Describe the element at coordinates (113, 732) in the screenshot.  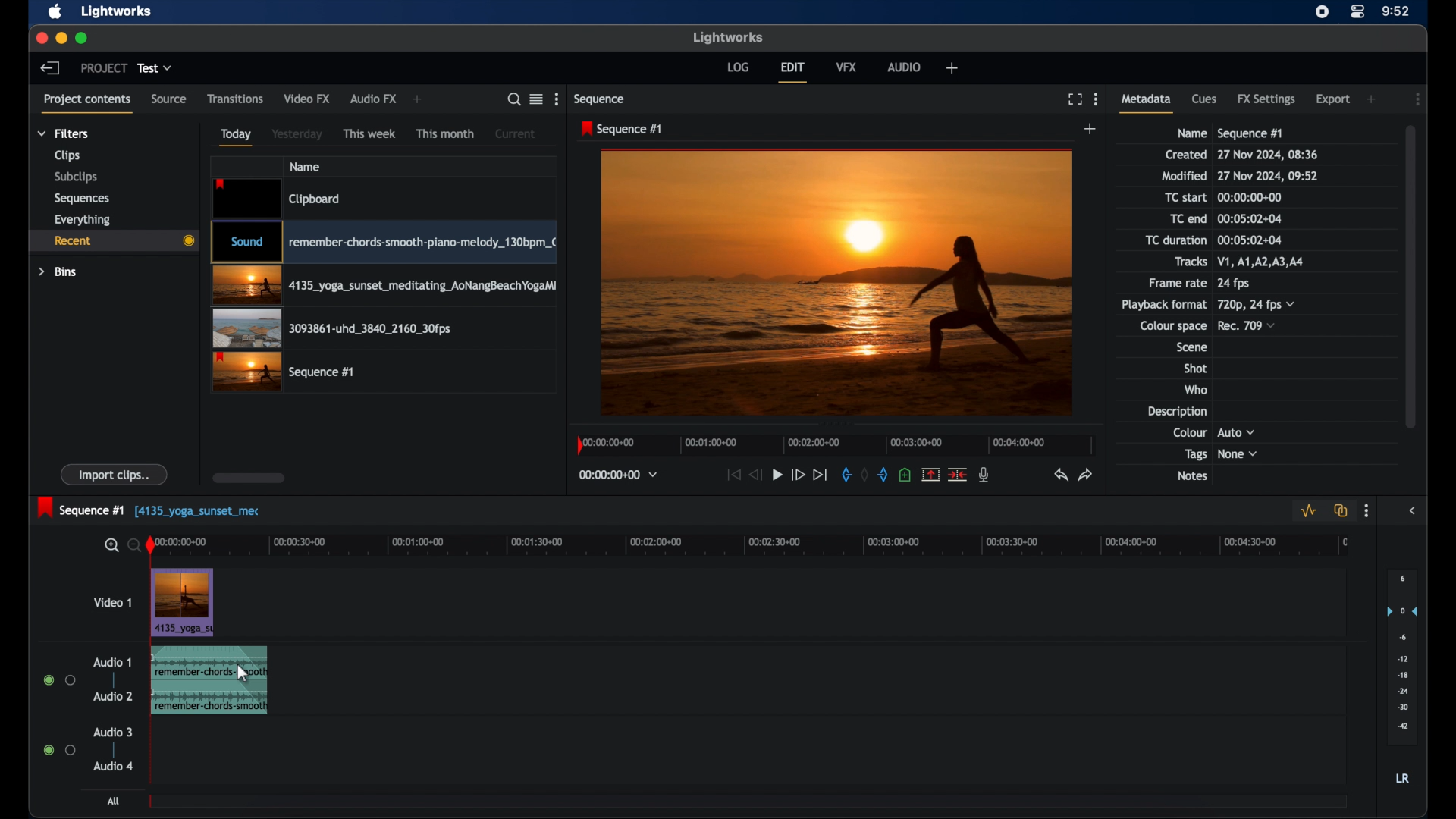
I see `audio 3` at that location.